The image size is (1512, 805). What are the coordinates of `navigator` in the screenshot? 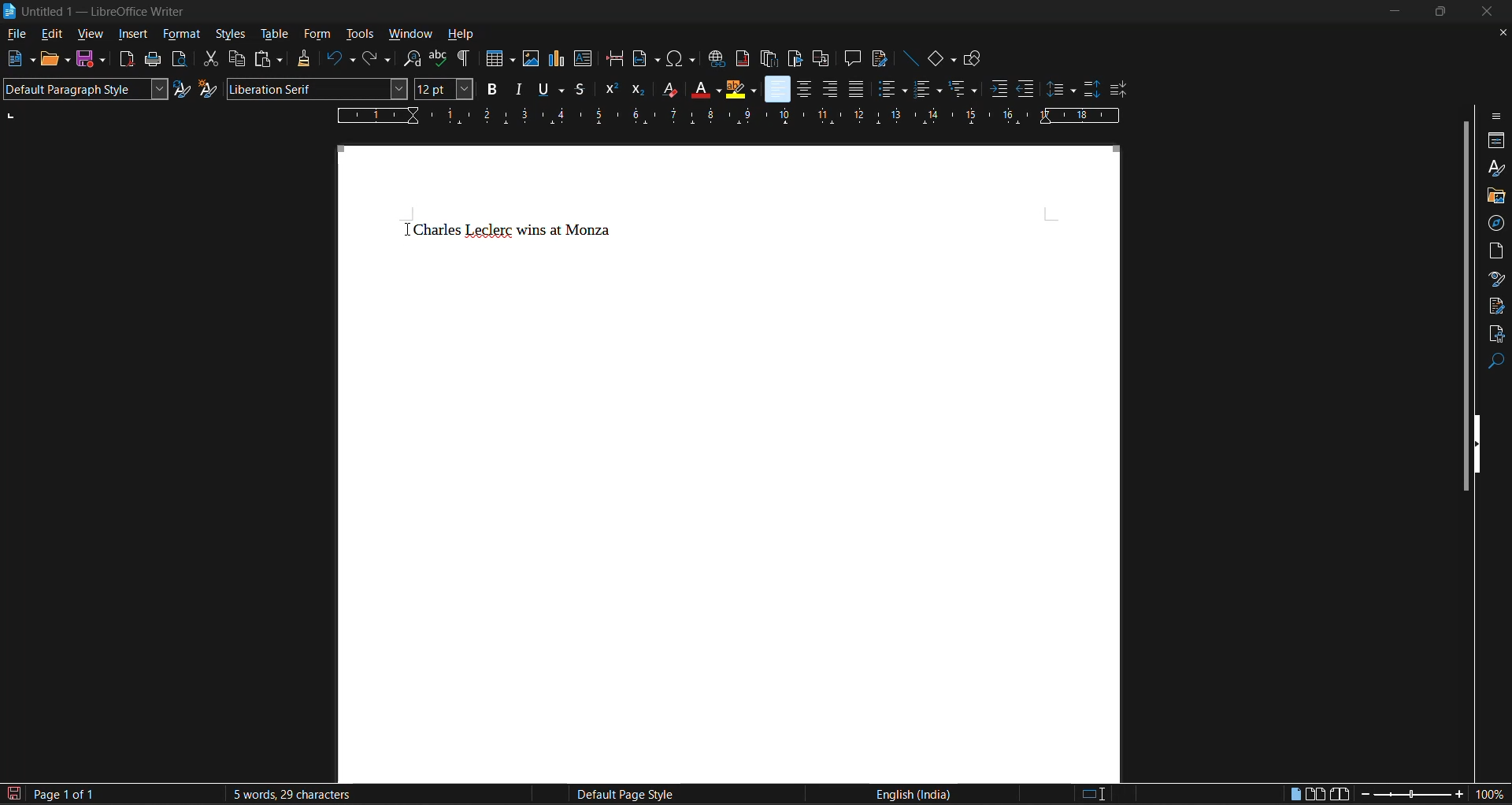 It's located at (1496, 224).